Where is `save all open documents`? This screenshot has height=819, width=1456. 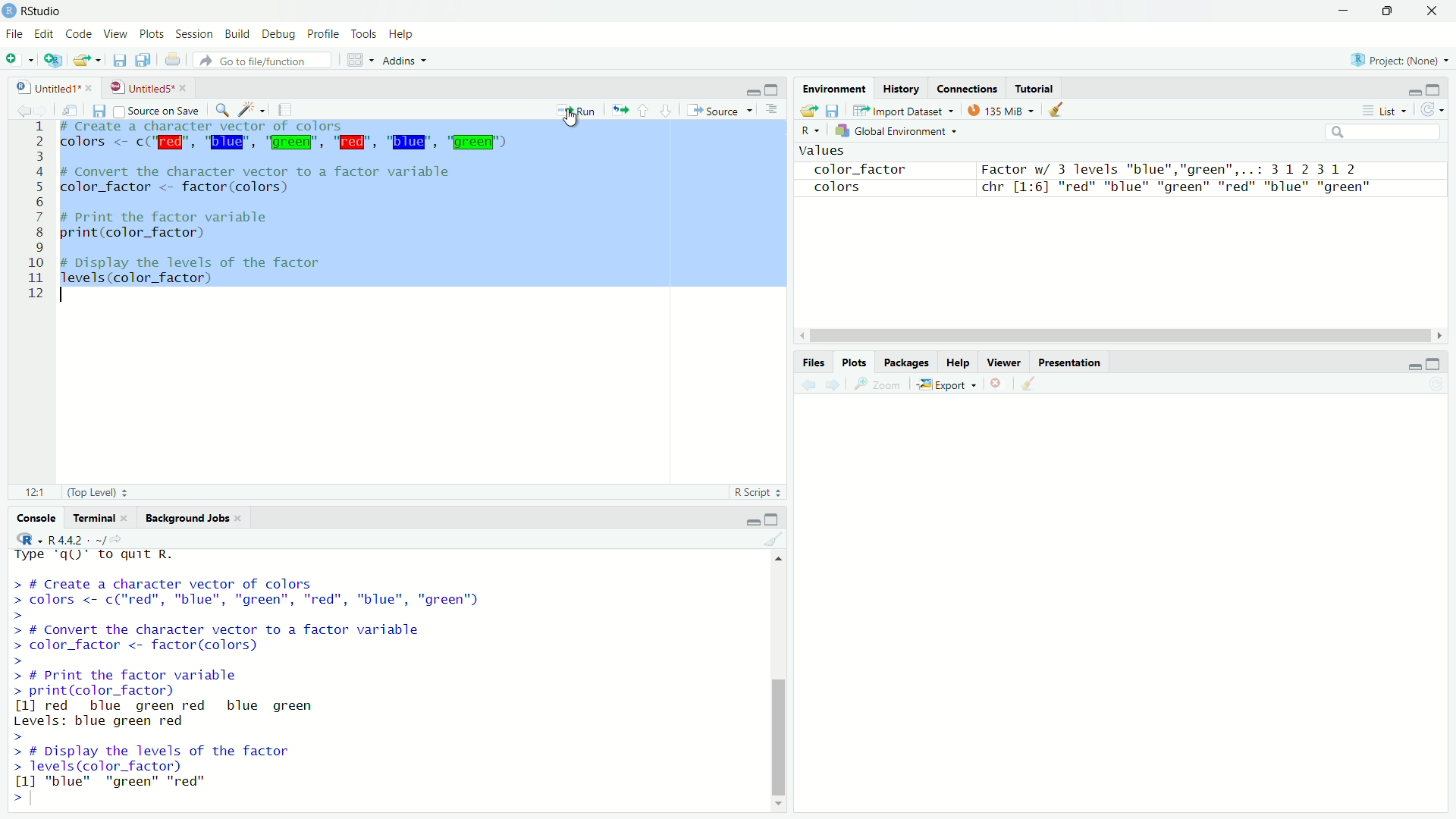 save all open documents is located at coordinates (144, 61).